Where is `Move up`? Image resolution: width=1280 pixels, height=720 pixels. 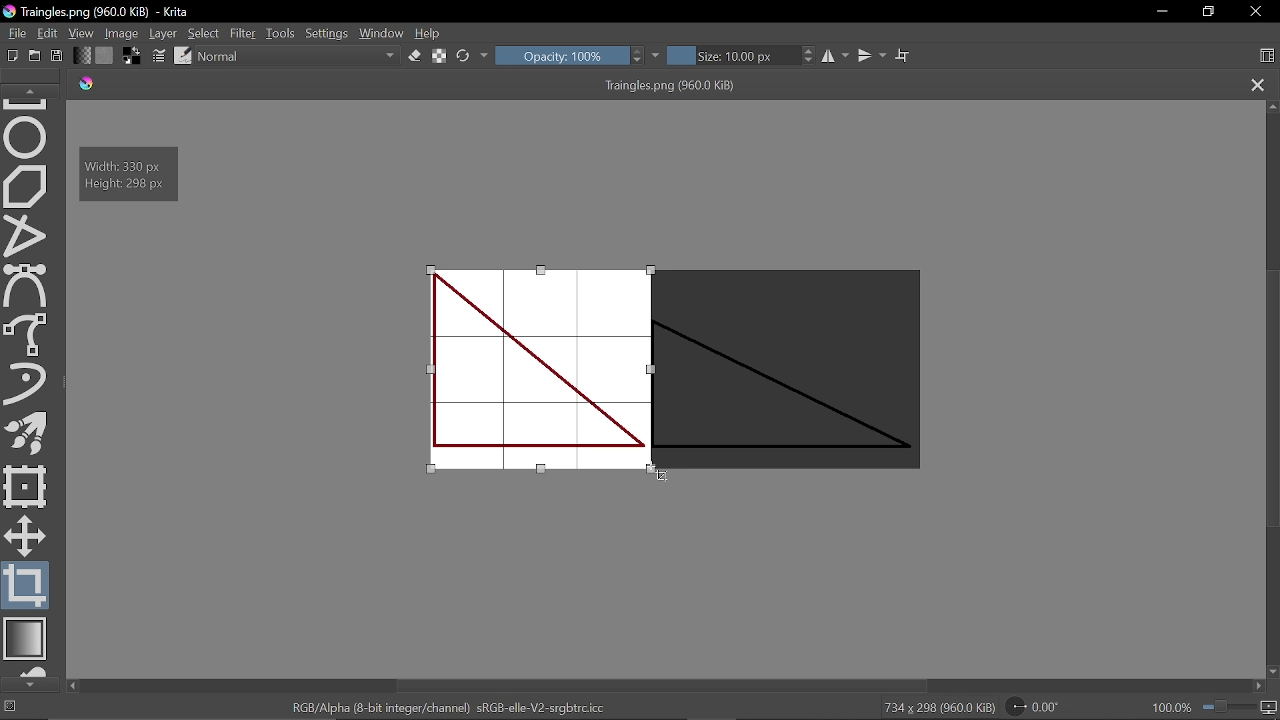
Move up is located at coordinates (1272, 106).